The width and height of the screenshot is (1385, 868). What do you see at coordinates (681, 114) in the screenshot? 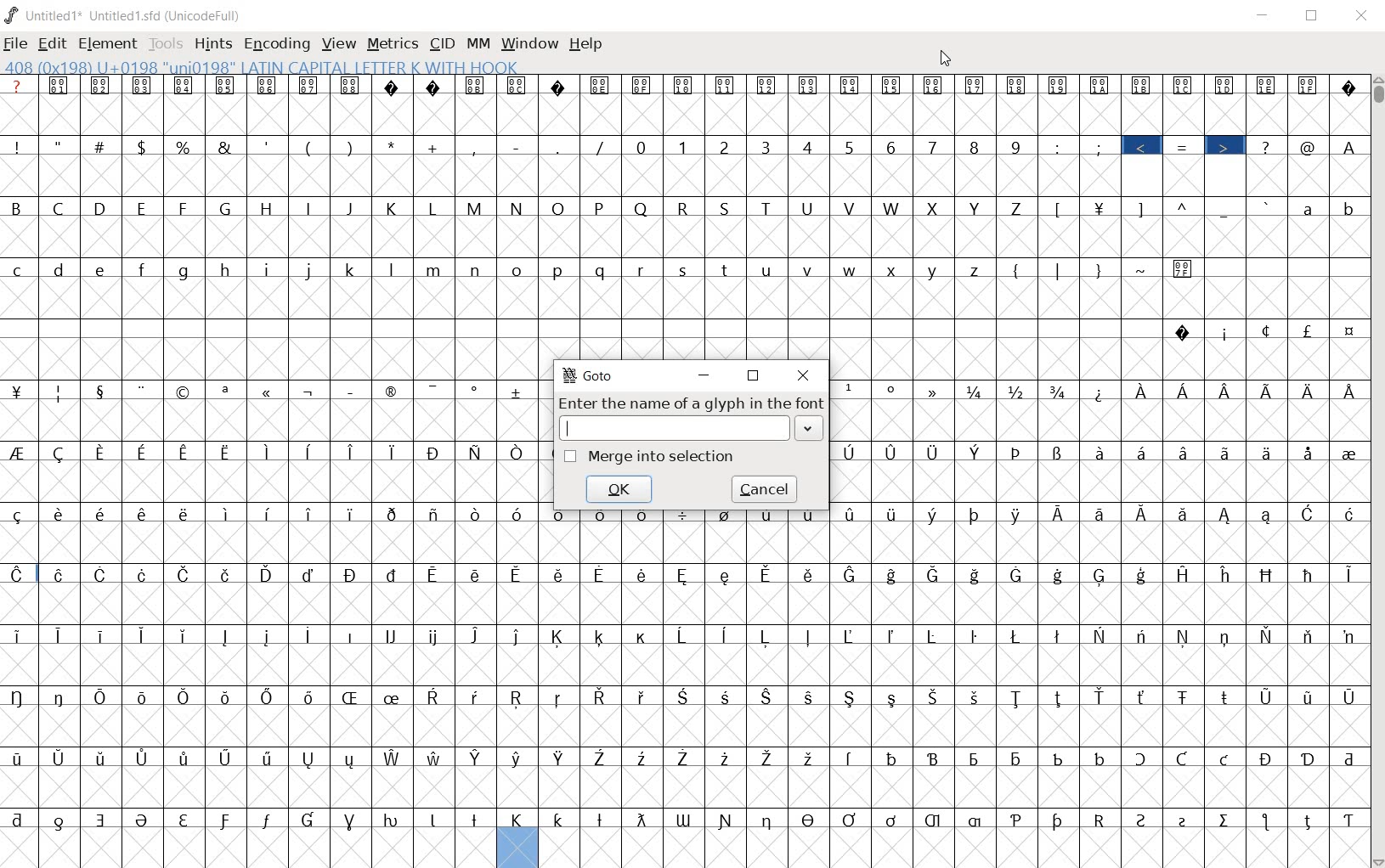
I see `empty glyph slots` at bounding box center [681, 114].